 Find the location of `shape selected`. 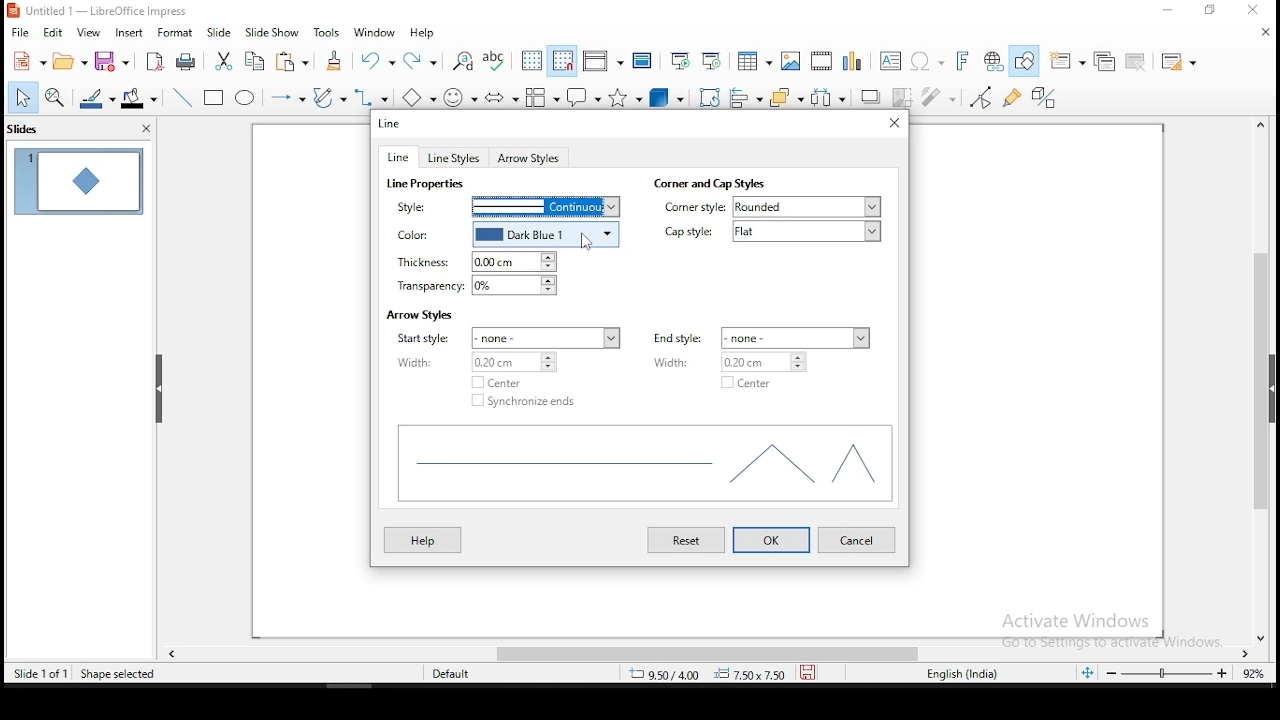

shape selected is located at coordinates (118, 672).